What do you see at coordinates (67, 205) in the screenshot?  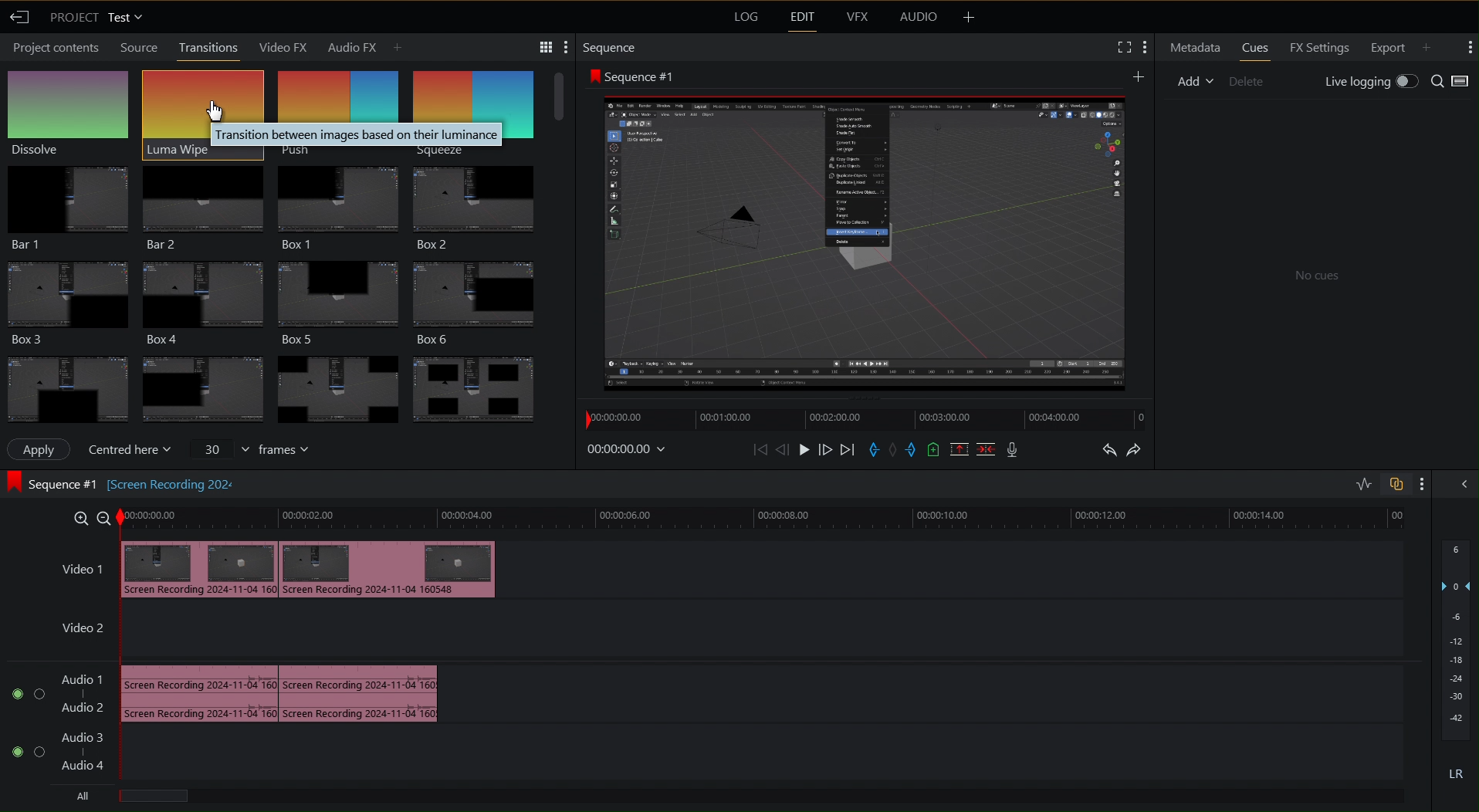 I see `Bar 1` at bounding box center [67, 205].